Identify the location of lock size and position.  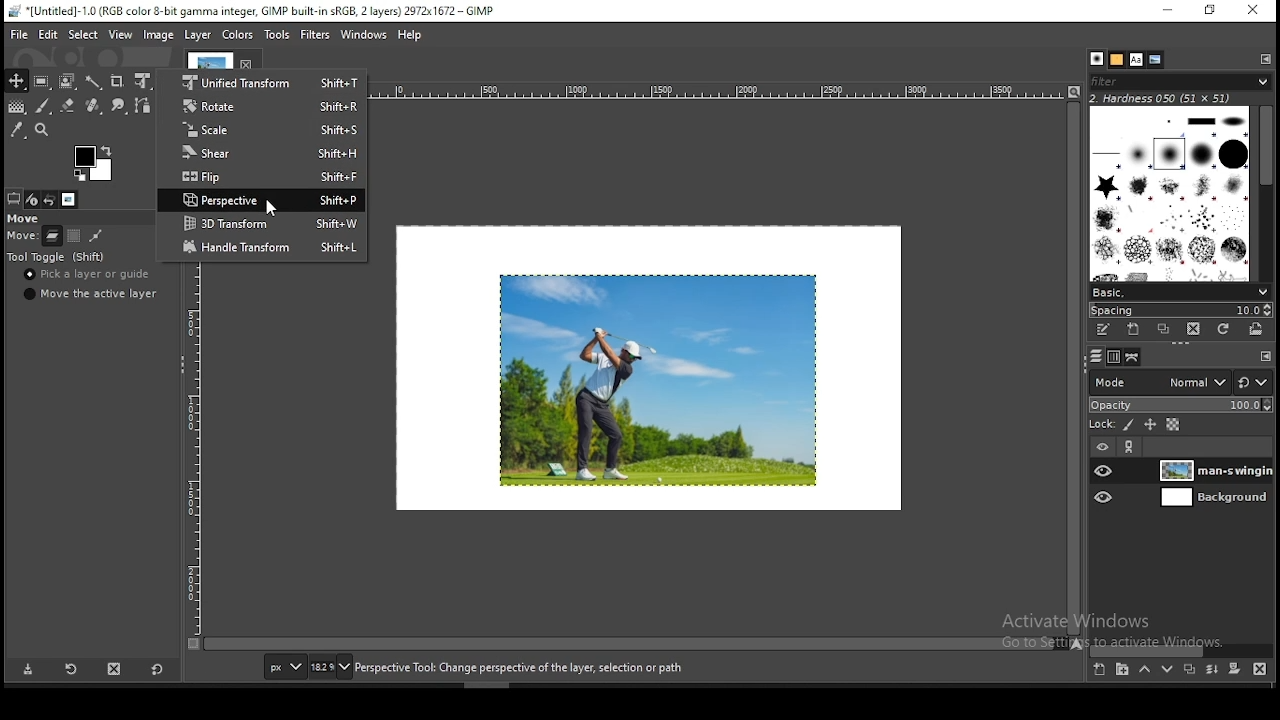
(1148, 425).